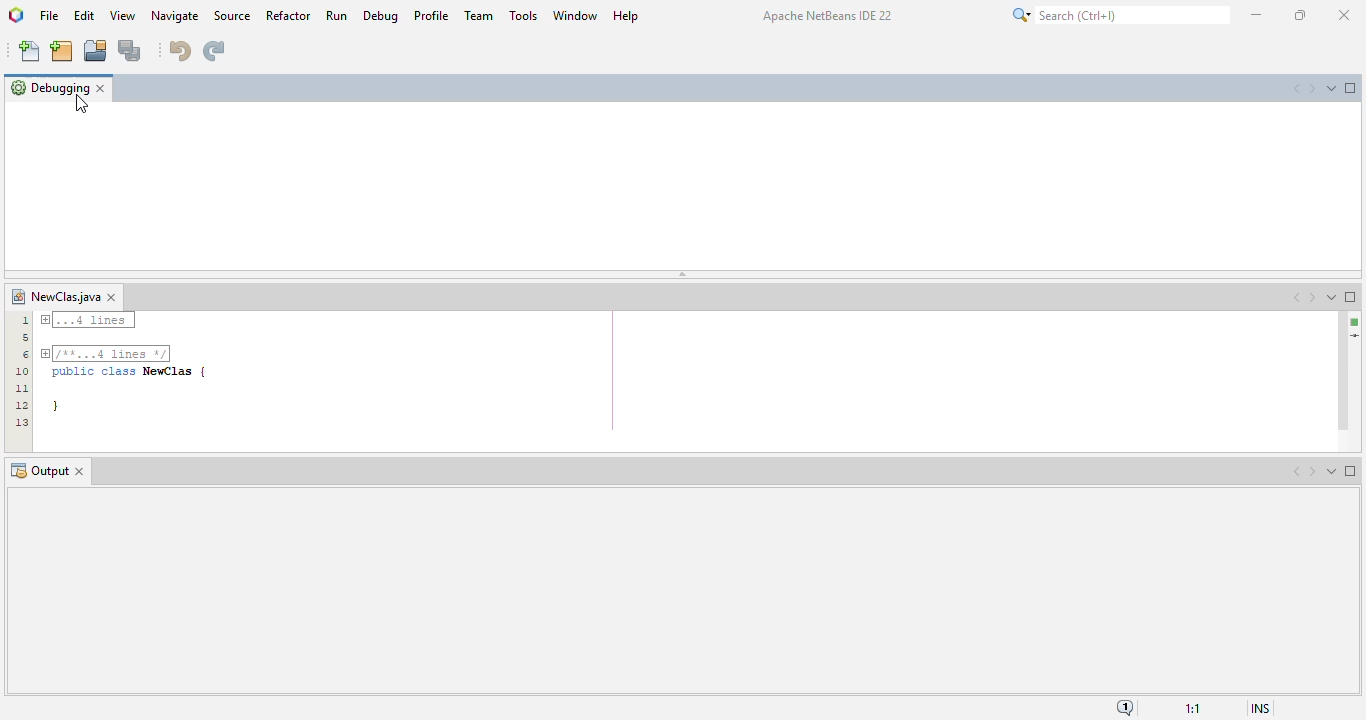 The image size is (1366, 720). Describe the element at coordinates (17, 16) in the screenshot. I see `logo` at that location.